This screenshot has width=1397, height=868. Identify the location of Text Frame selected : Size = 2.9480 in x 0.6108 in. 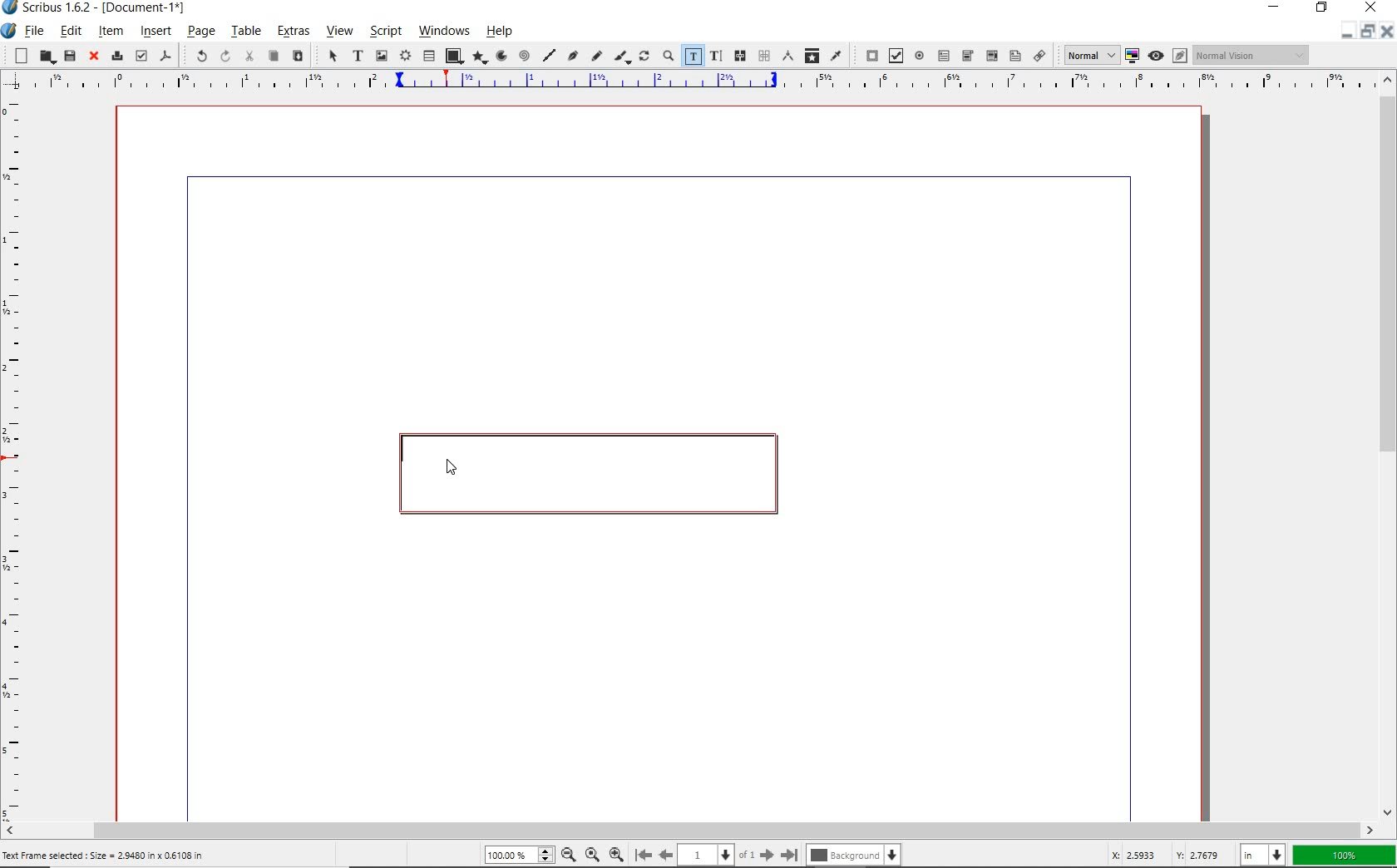
(106, 855).